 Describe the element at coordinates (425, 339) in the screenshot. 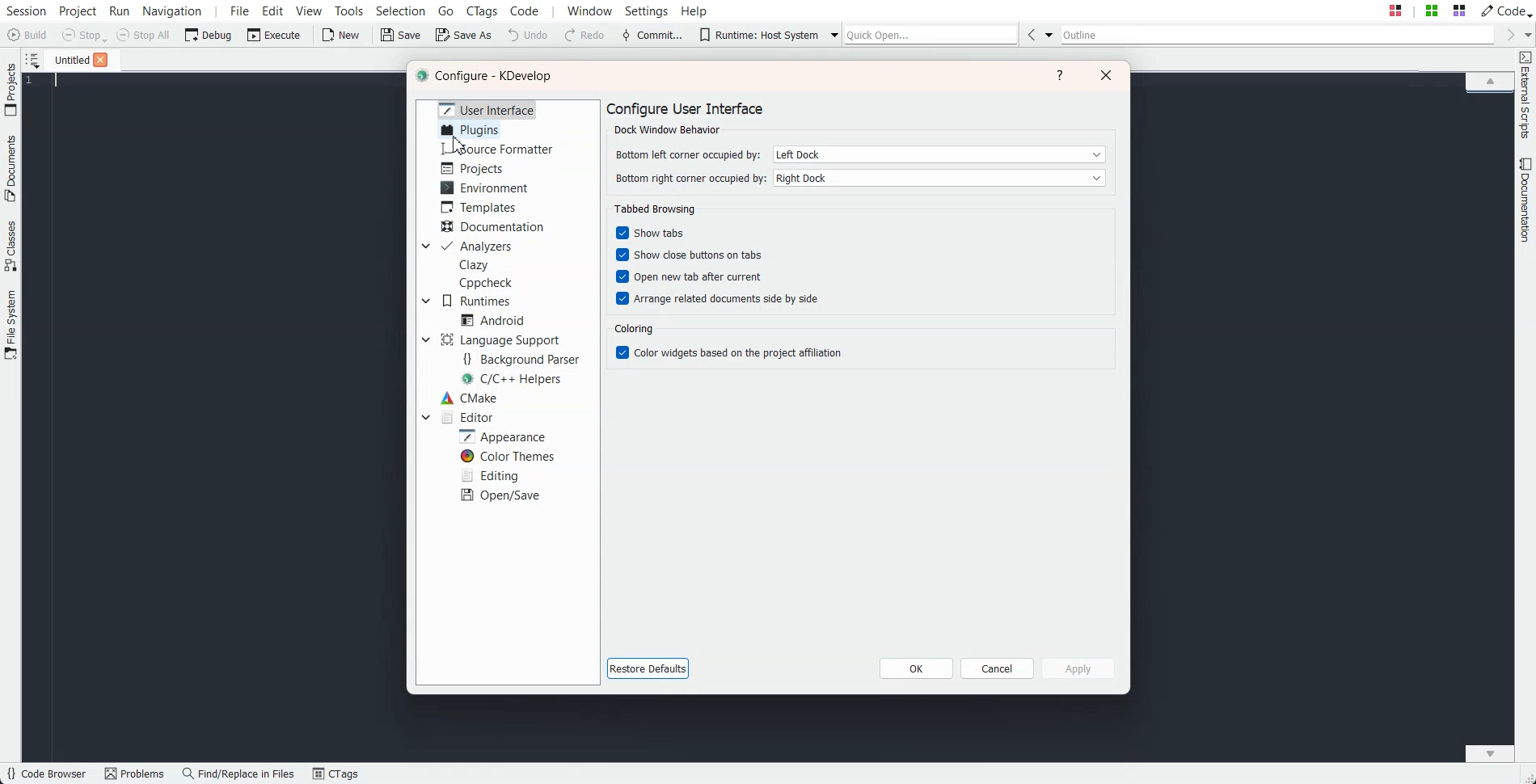

I see `Drop down box` at that location.